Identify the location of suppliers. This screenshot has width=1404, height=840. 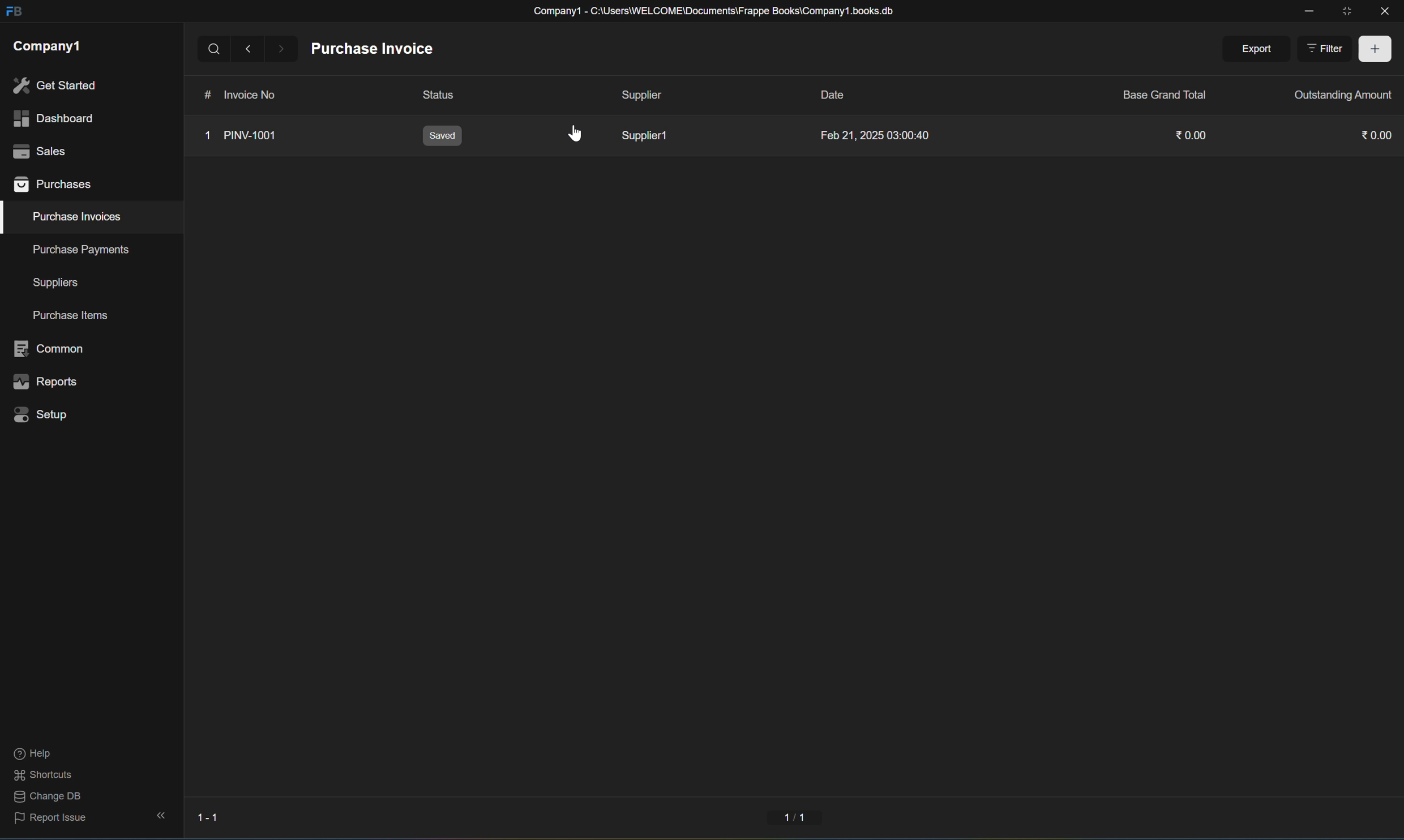
(55, 283).